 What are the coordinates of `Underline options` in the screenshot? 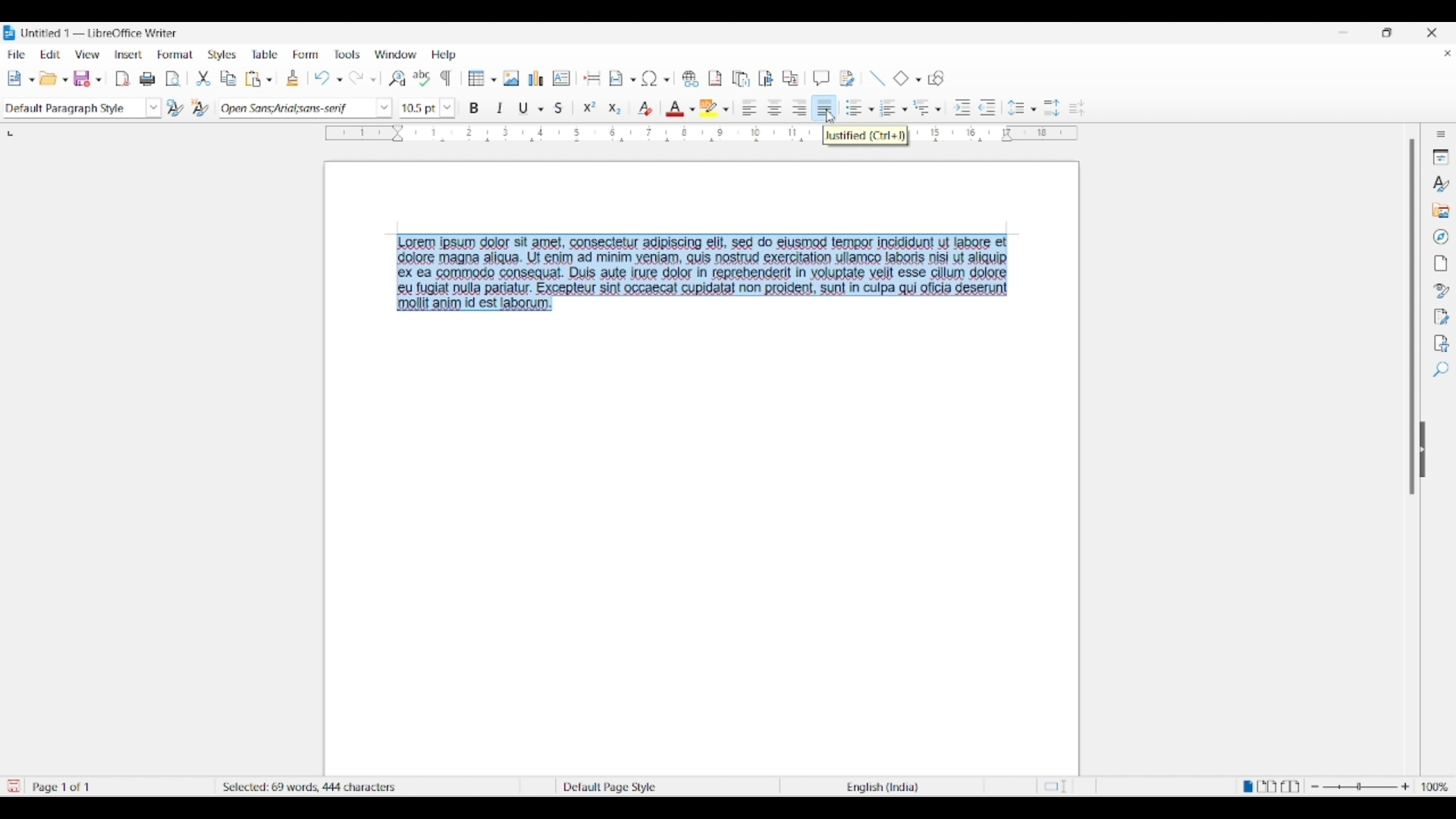 It's located at (541, 109).